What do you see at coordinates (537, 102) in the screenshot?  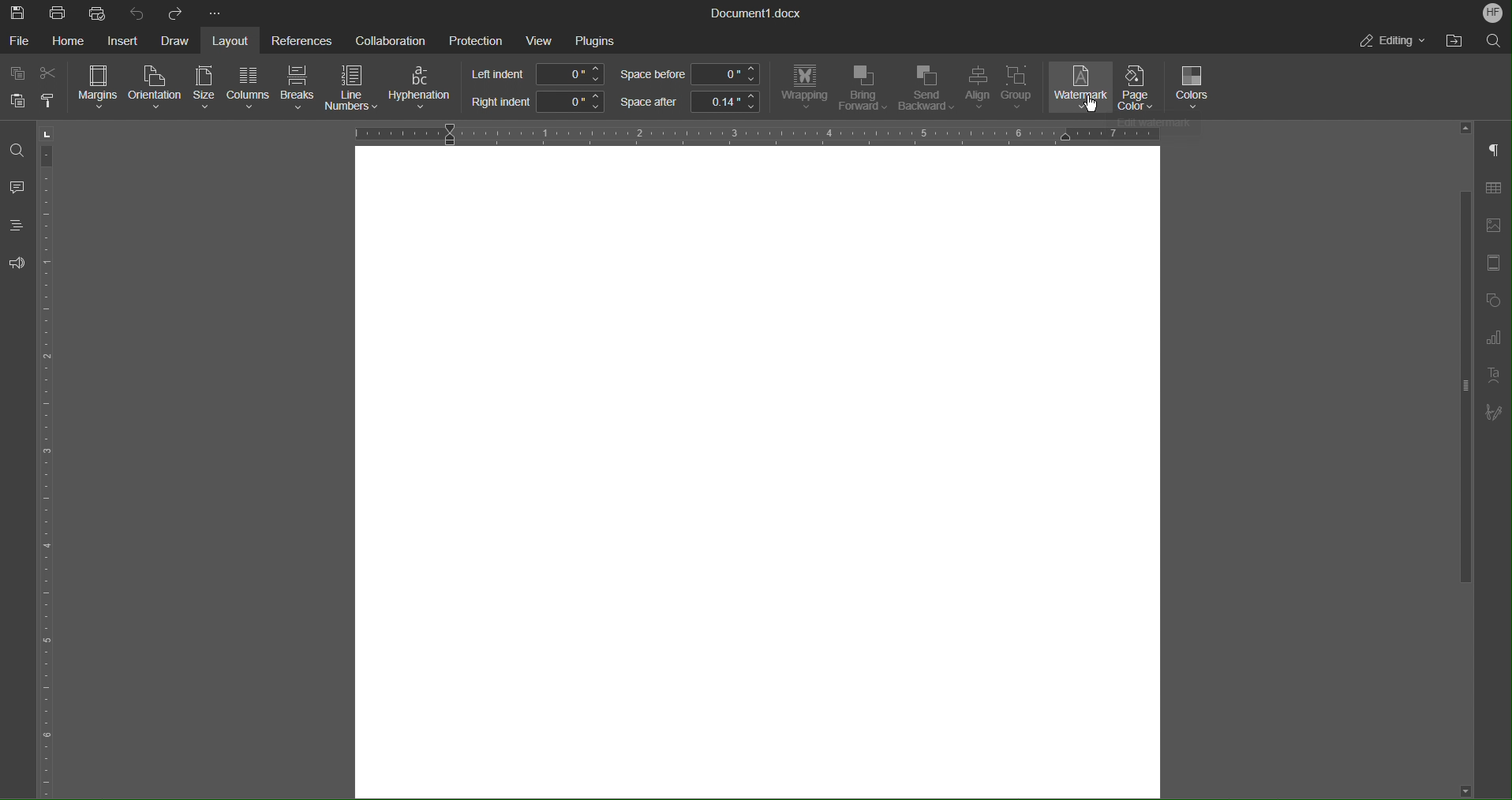 I see `Right indent` at bounding box center [537, 102].